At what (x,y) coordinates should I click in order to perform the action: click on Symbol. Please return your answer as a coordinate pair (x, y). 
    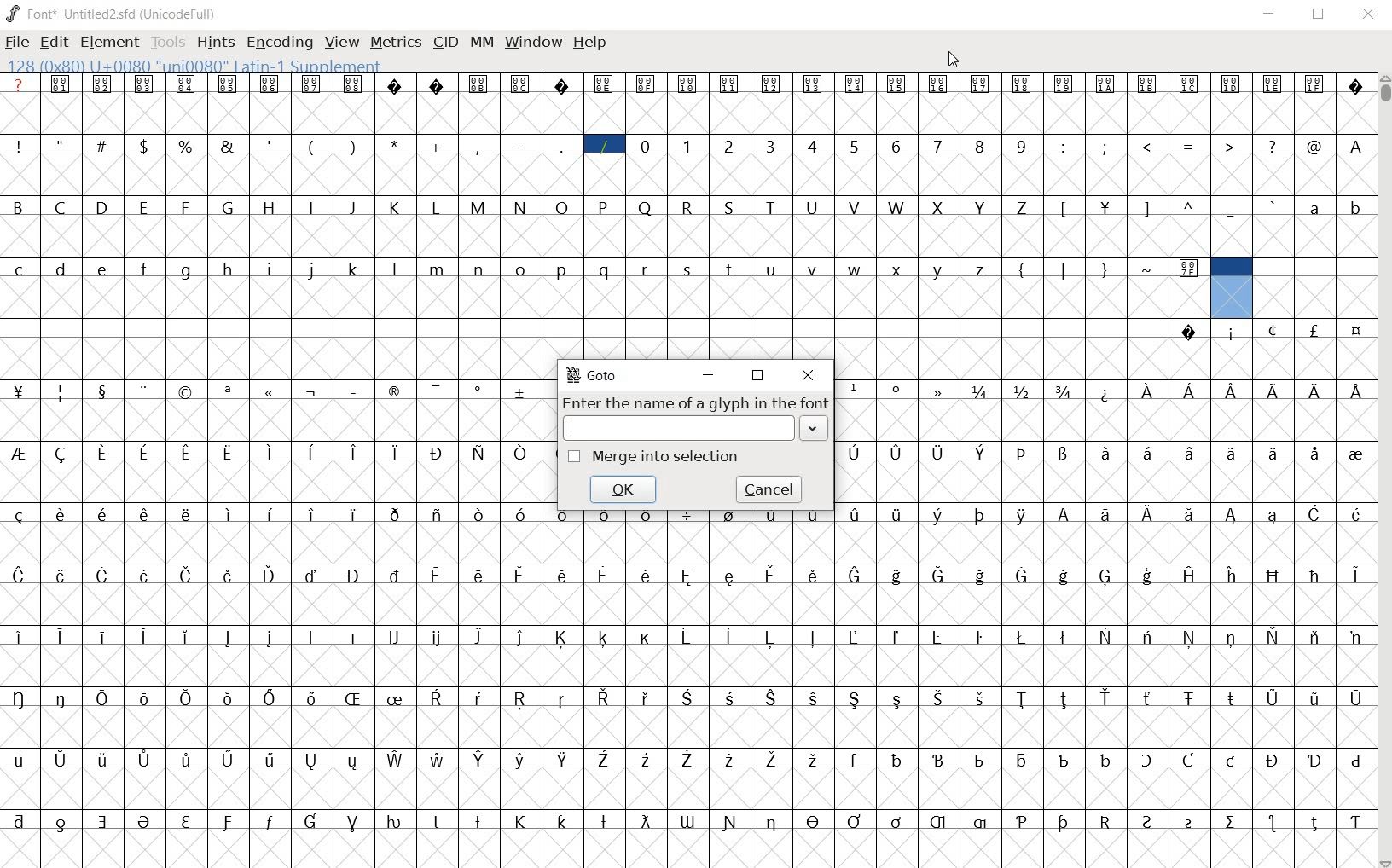
    Looking at the image, I should click on (1274, 331).